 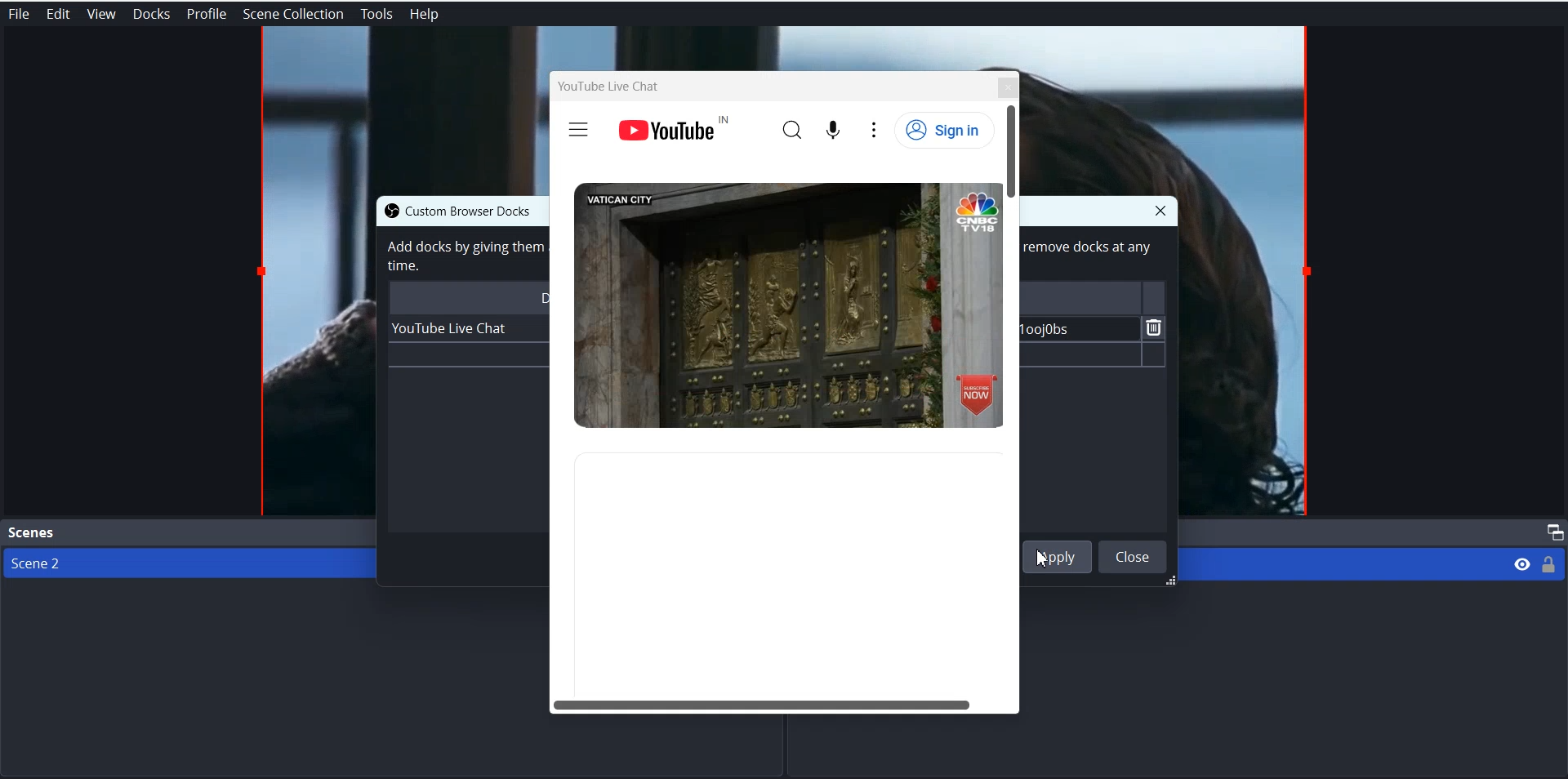 I want to click on Youtube Live Chat, so click(x=452, y=328).